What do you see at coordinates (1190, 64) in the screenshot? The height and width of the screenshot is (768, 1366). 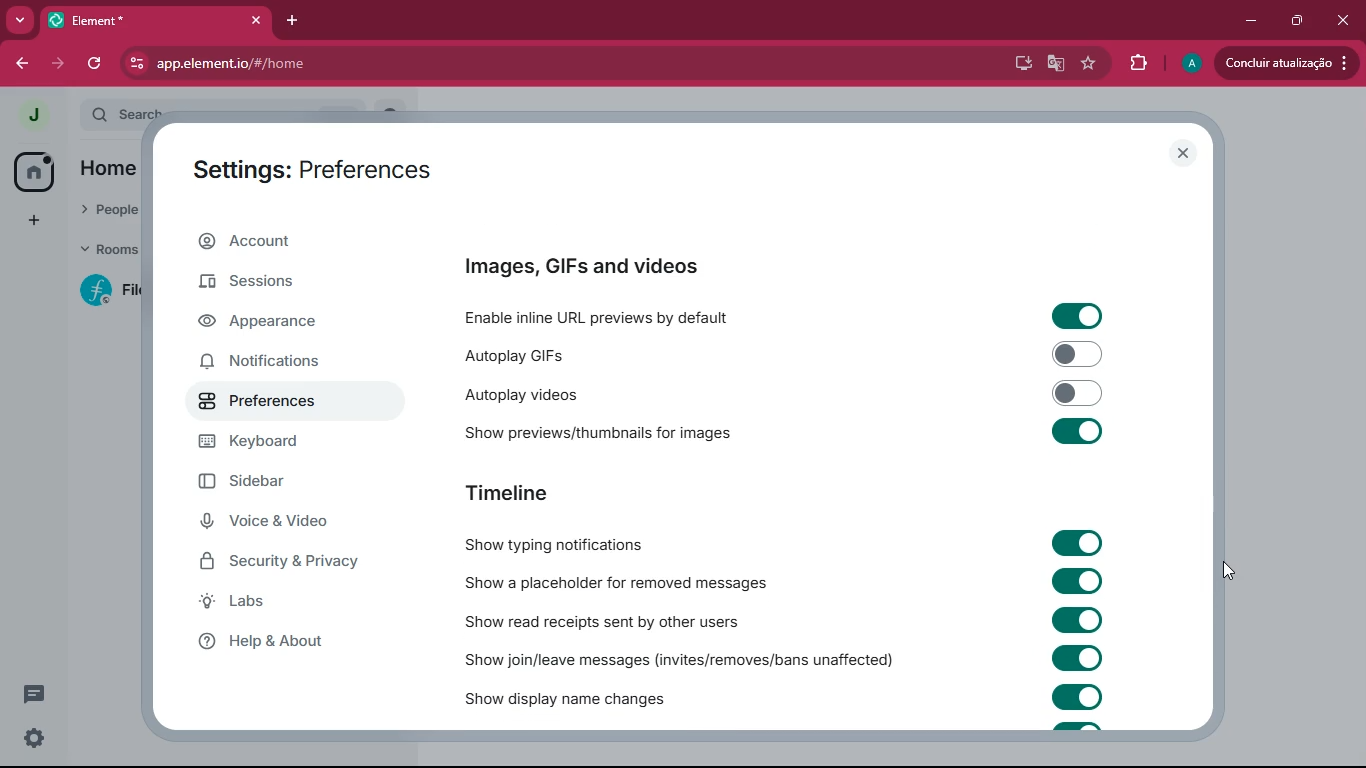 I see `profile` at bounding box center [1190, 64].